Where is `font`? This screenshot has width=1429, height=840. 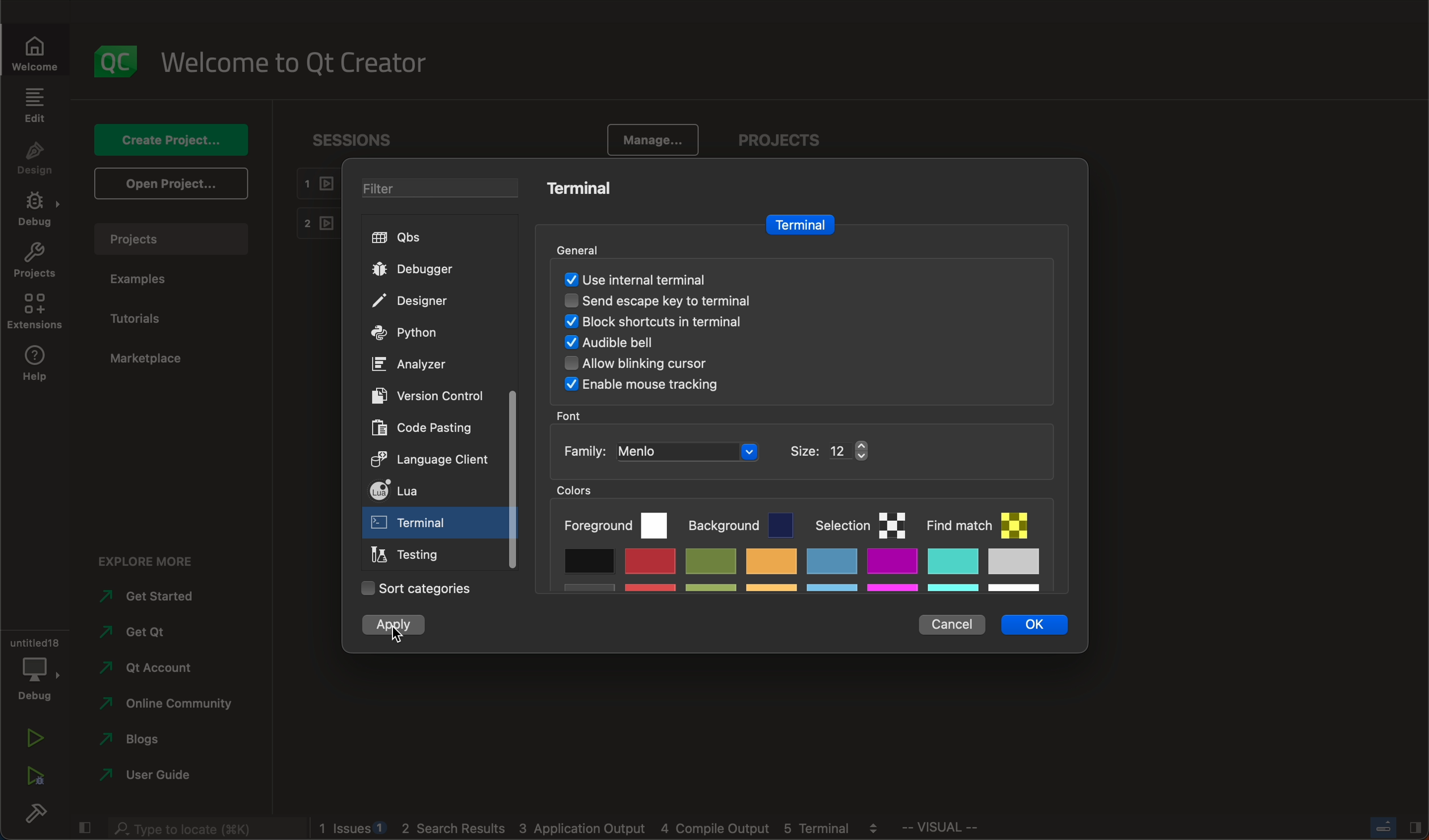 font is located at coordinates (574, 415).